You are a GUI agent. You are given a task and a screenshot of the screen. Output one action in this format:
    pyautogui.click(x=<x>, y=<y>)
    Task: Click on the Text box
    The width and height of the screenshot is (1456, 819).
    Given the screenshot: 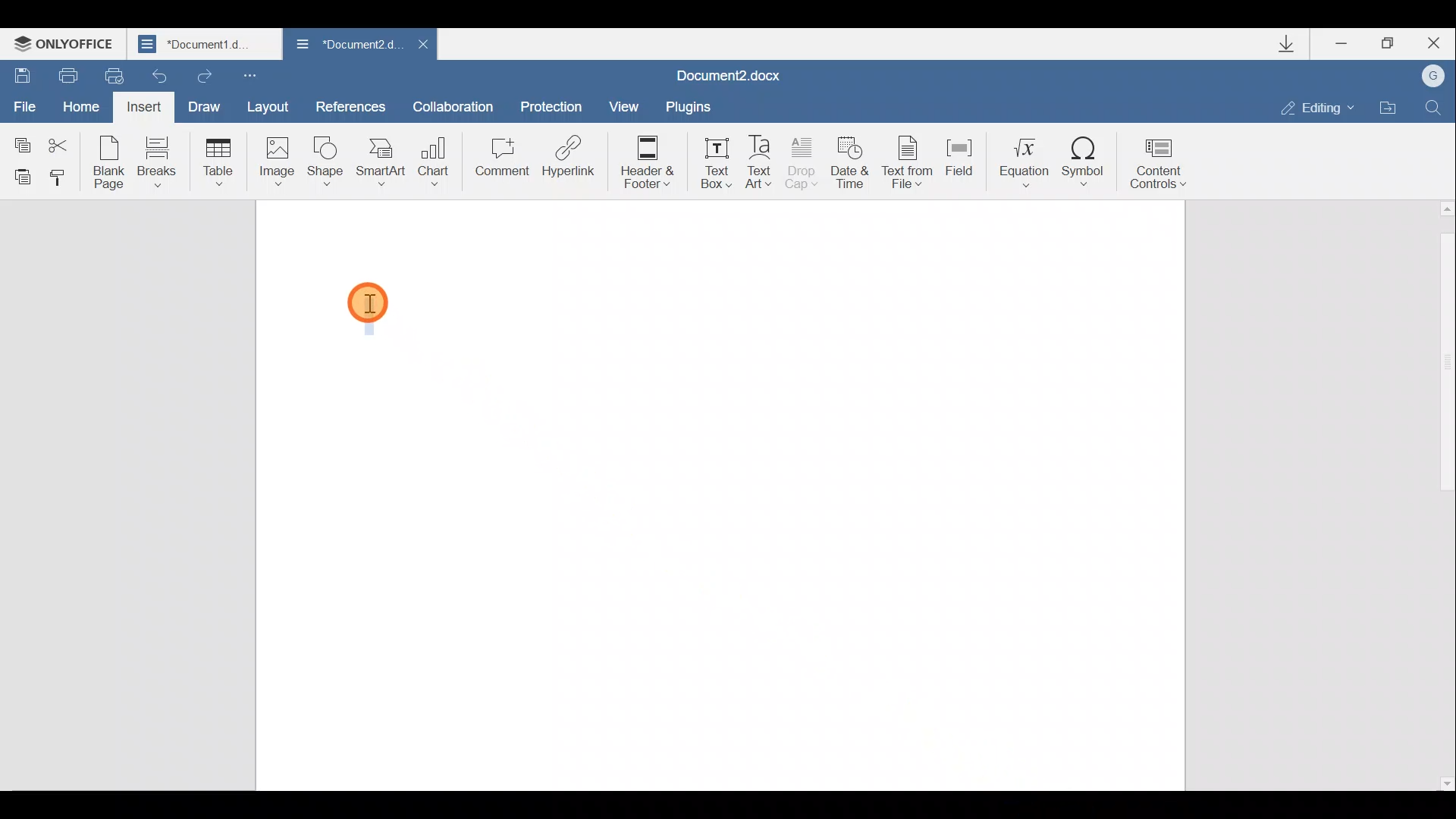 What is the action you would take?
    pyautogui.click(x=716, y=162)
    